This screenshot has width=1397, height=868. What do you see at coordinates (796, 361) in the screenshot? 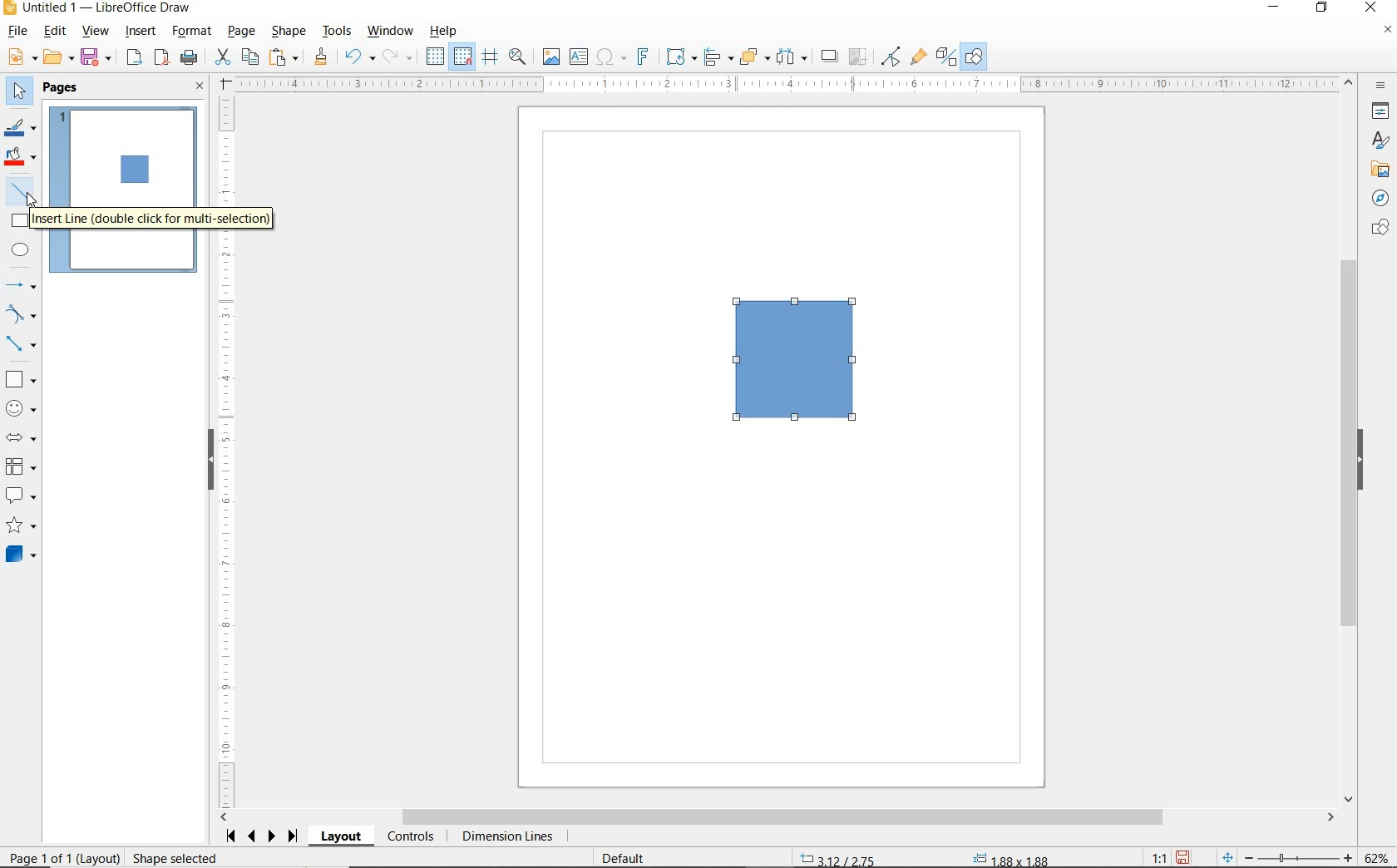
I see `SQUARE` at bounding box center [796, 361].